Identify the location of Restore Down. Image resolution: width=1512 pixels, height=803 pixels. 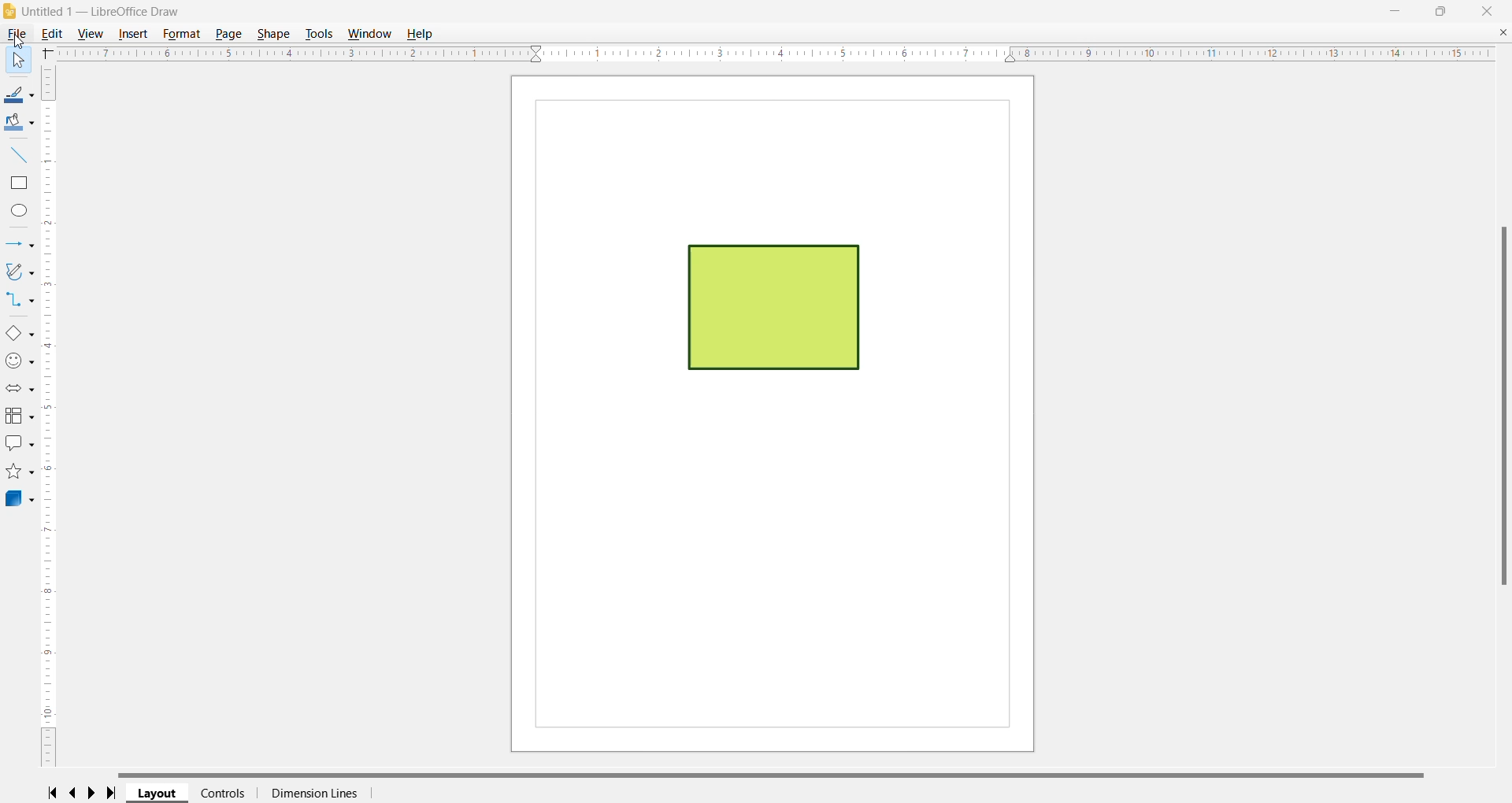
(1440, 9).